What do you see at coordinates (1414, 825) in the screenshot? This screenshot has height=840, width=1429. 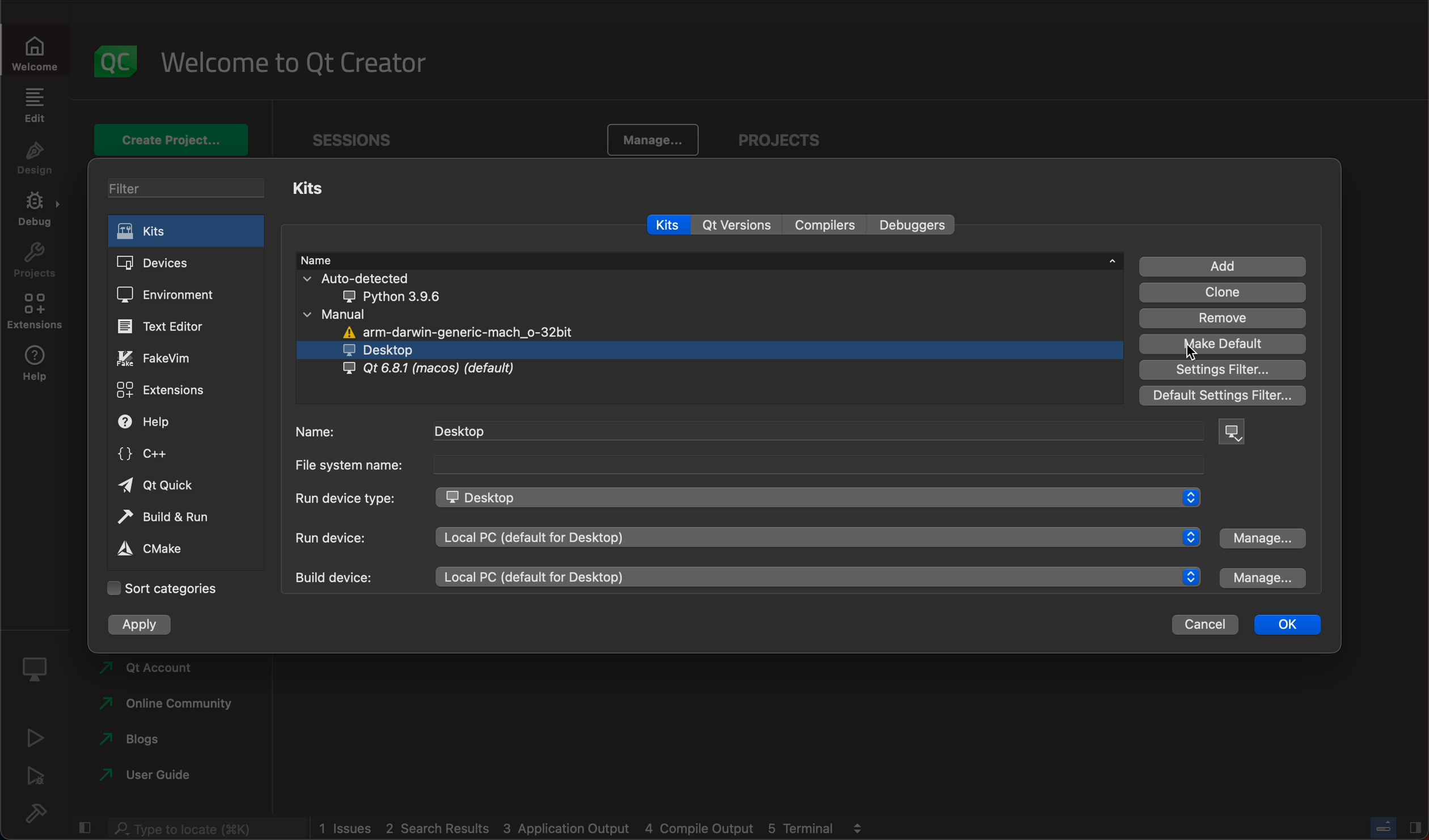 I see `Hide/Show right sidebar` at bounding box center [1414, 825].